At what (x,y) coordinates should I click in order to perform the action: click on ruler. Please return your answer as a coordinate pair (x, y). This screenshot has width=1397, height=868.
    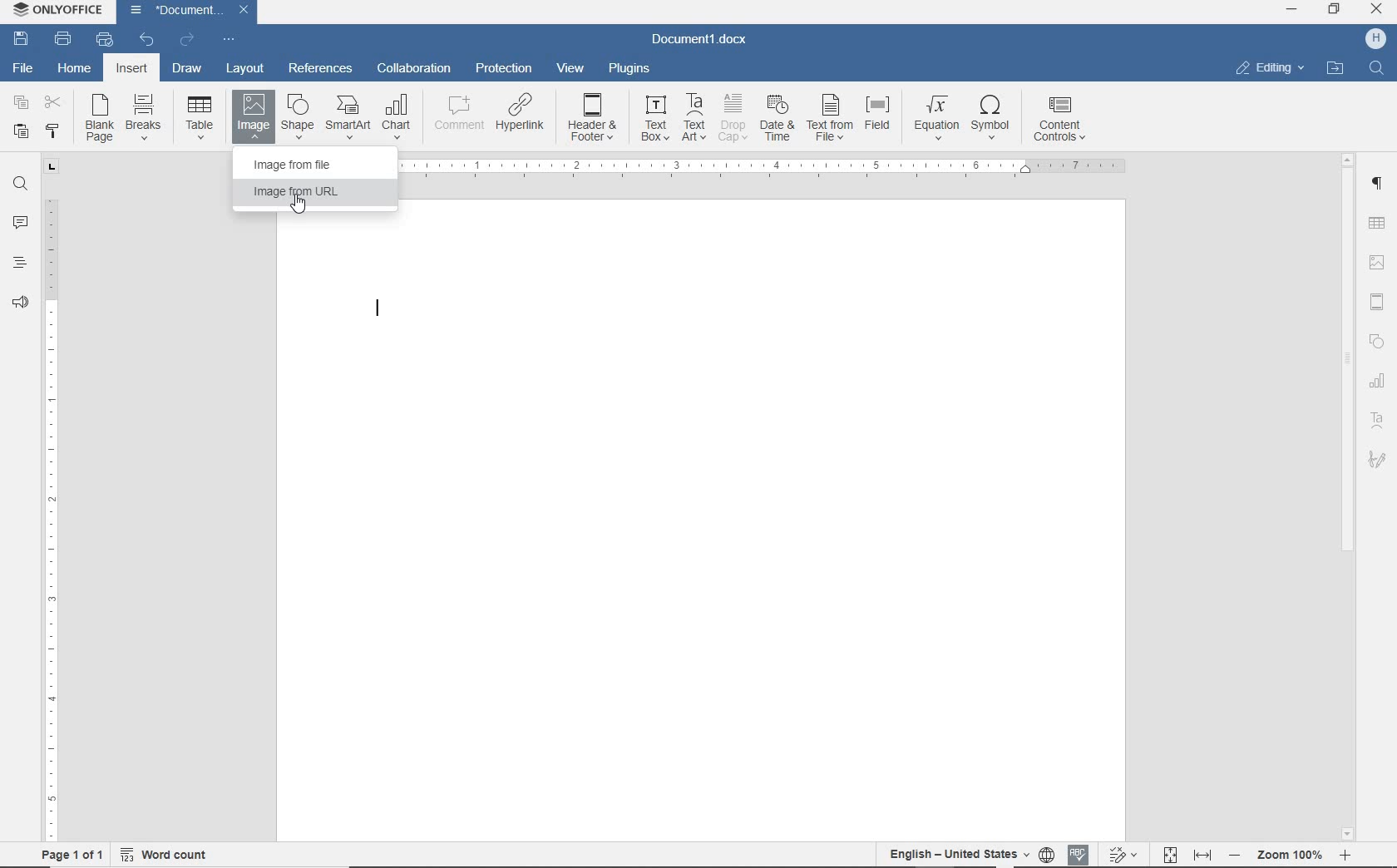
    Looking at the image, I should click on (55, 501).